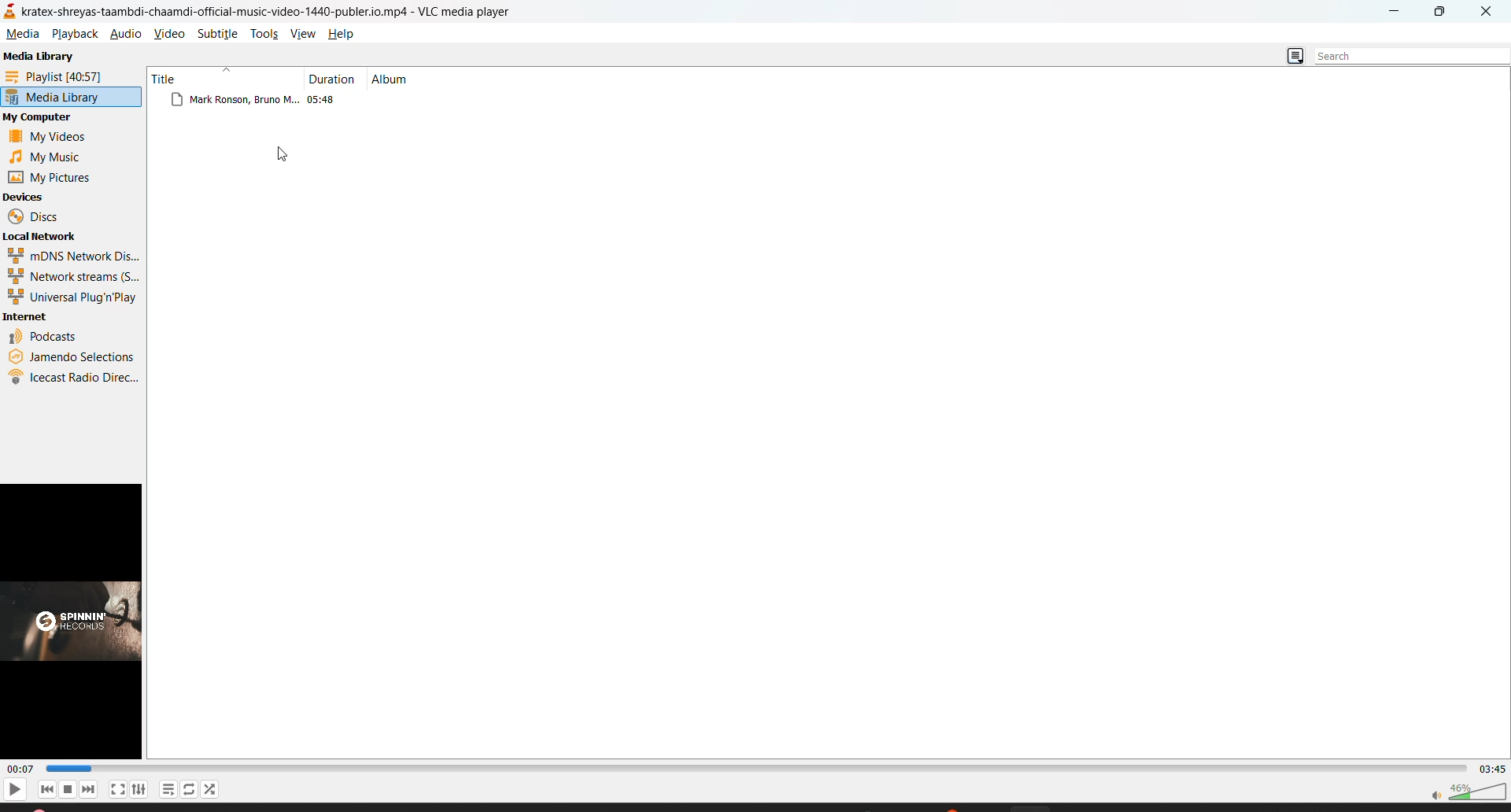  What do you see at coordinates (47, 789) in the screenshot?
I see `previous` at bounding box center [47, 789].